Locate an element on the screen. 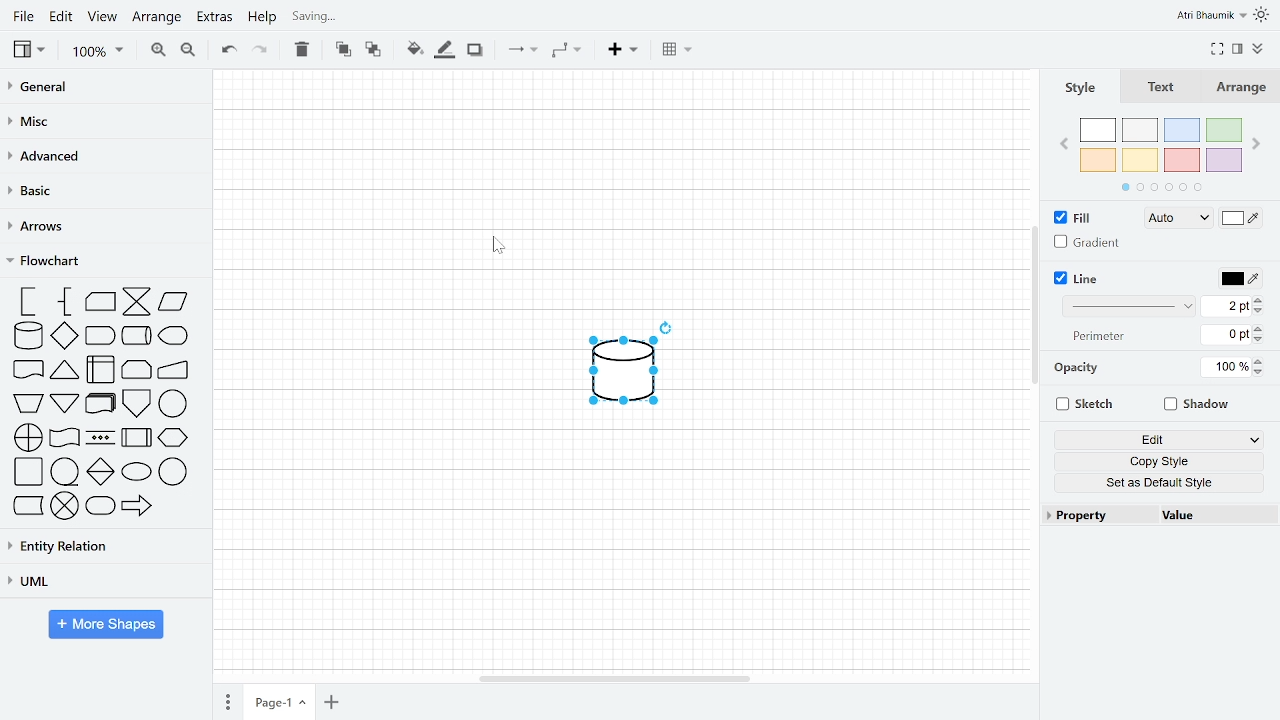  Connection is located at coordinates (522, 51).